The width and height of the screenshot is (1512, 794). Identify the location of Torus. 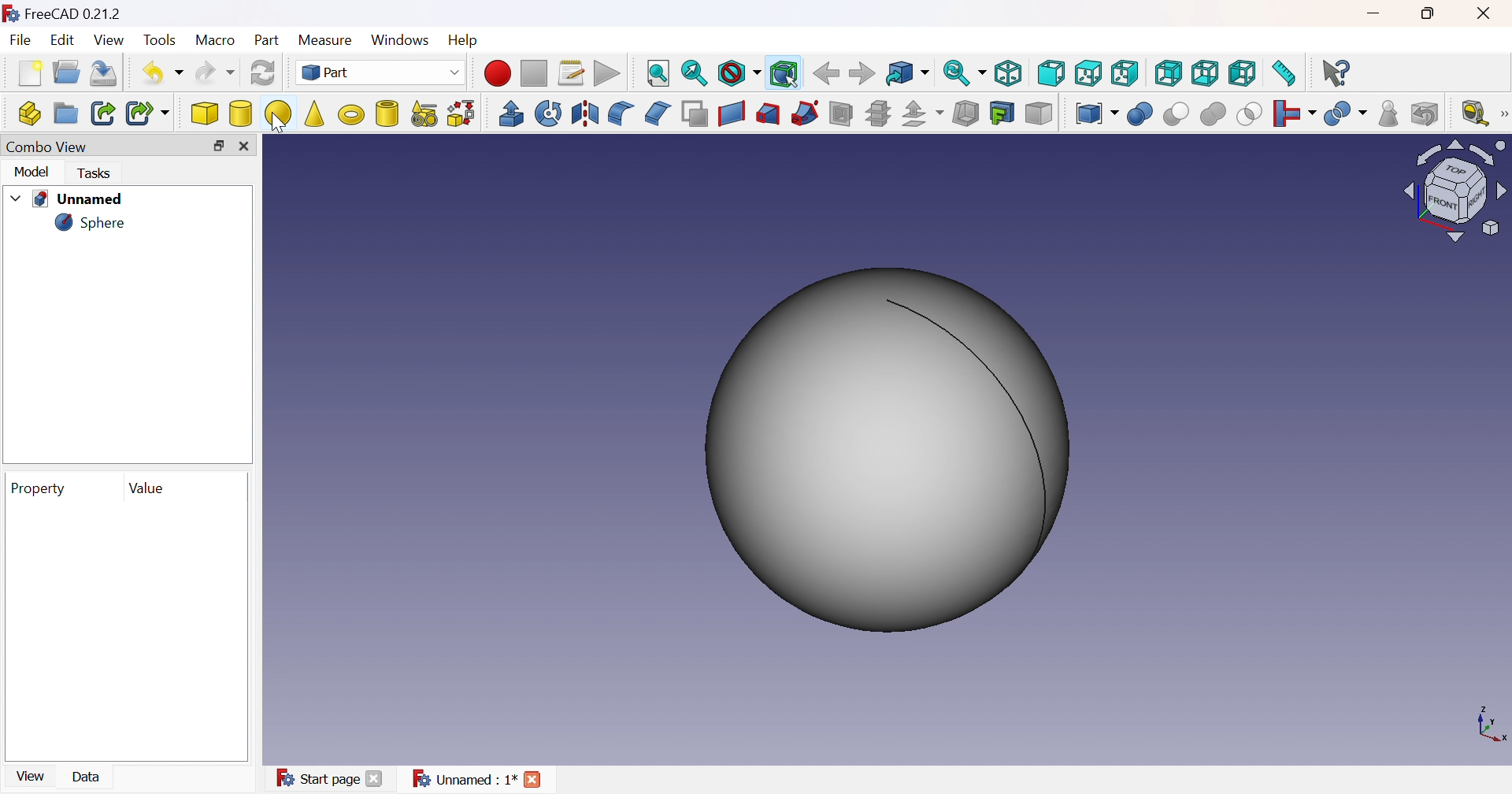
(353, 117).